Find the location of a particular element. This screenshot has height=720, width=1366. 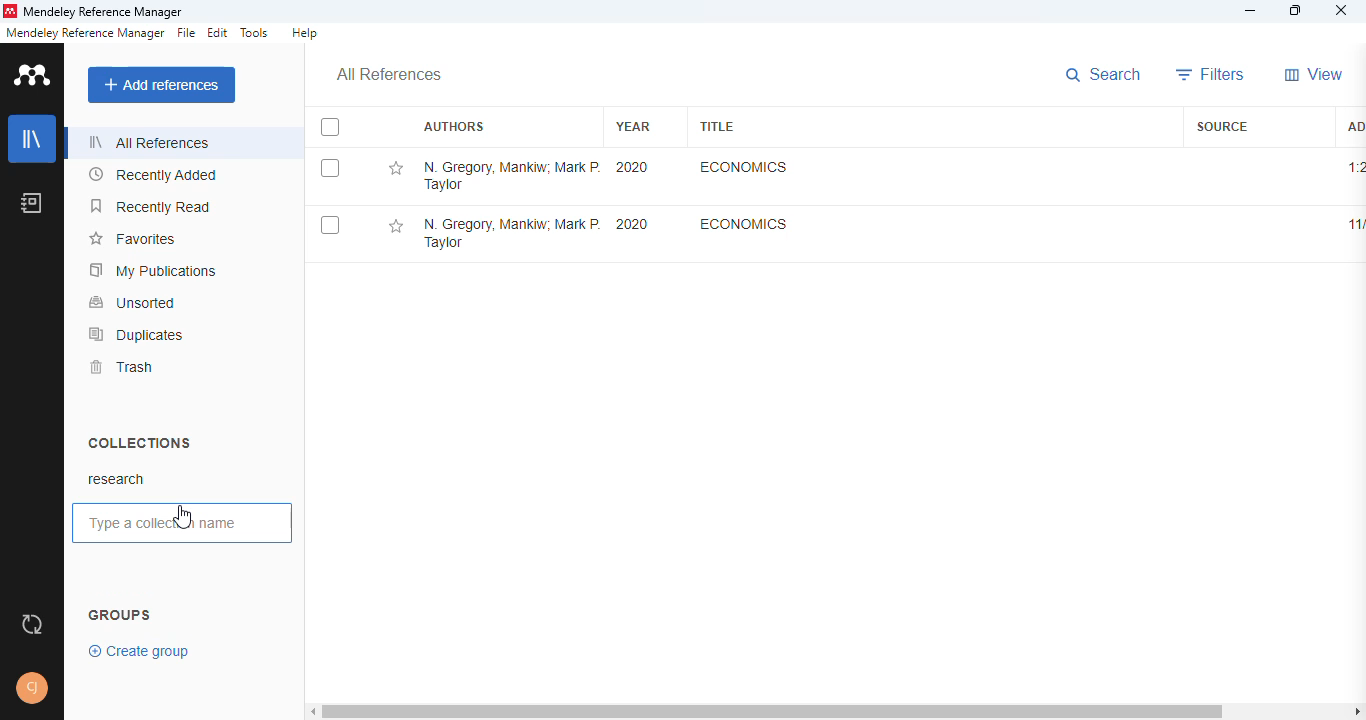

year is located at coordinates (633, 126).